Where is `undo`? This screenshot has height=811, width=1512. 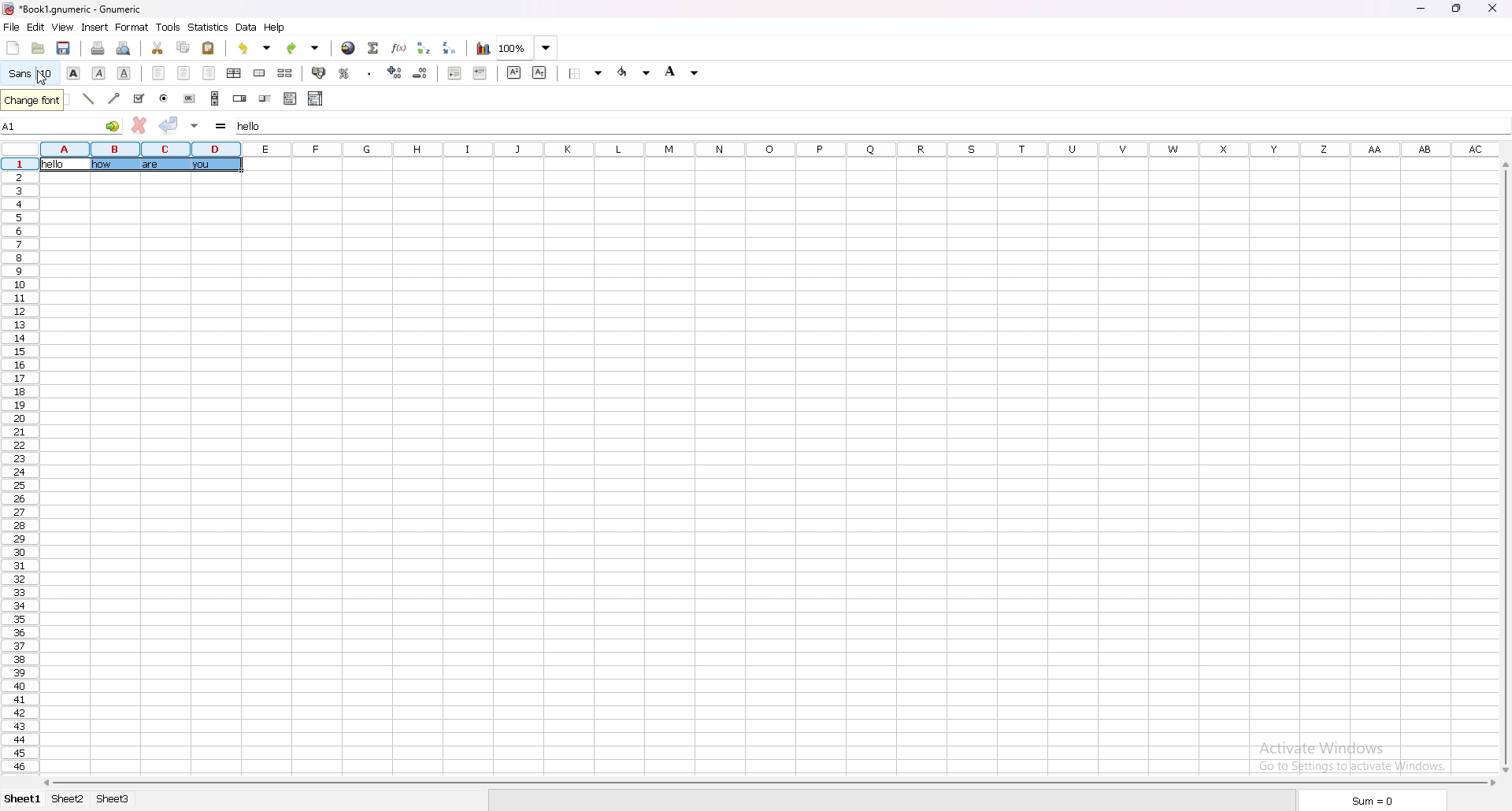 undo is located at coordinates (257, 48).